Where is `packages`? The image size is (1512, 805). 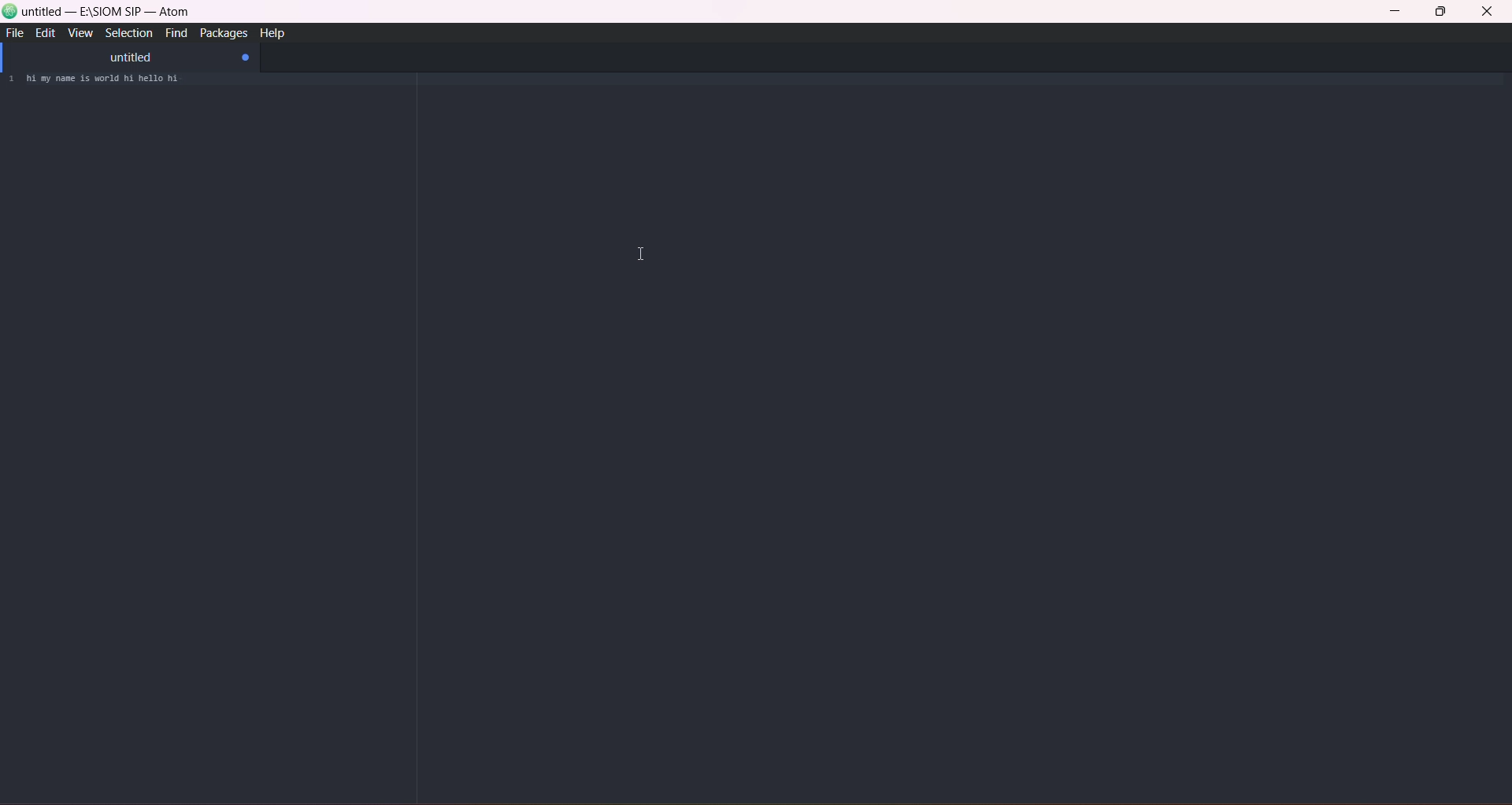
packages is located at coordinates (220, 34).